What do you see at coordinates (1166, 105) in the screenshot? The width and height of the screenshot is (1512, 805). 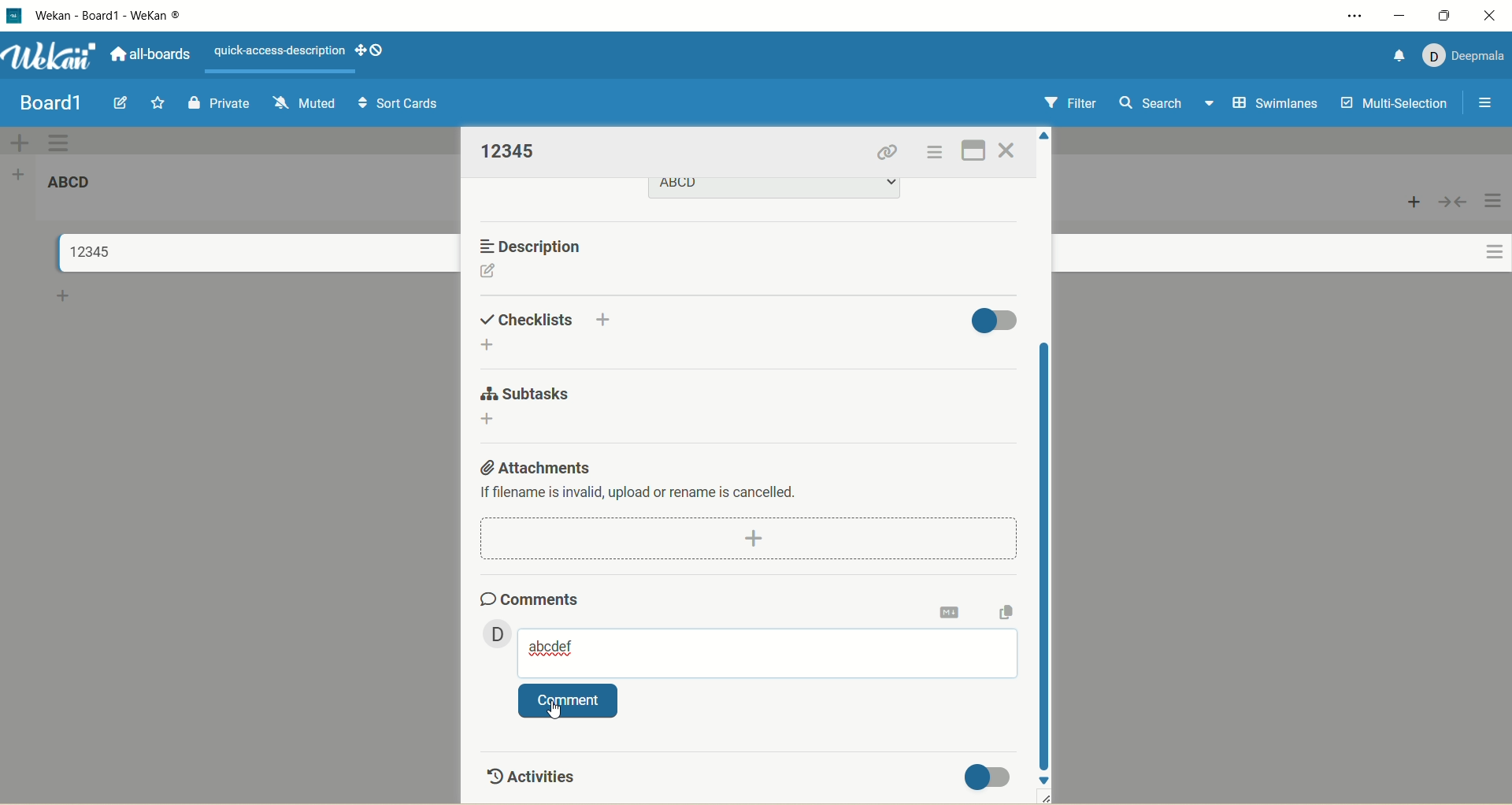 I see `search` at bounding box center [1166, 105].